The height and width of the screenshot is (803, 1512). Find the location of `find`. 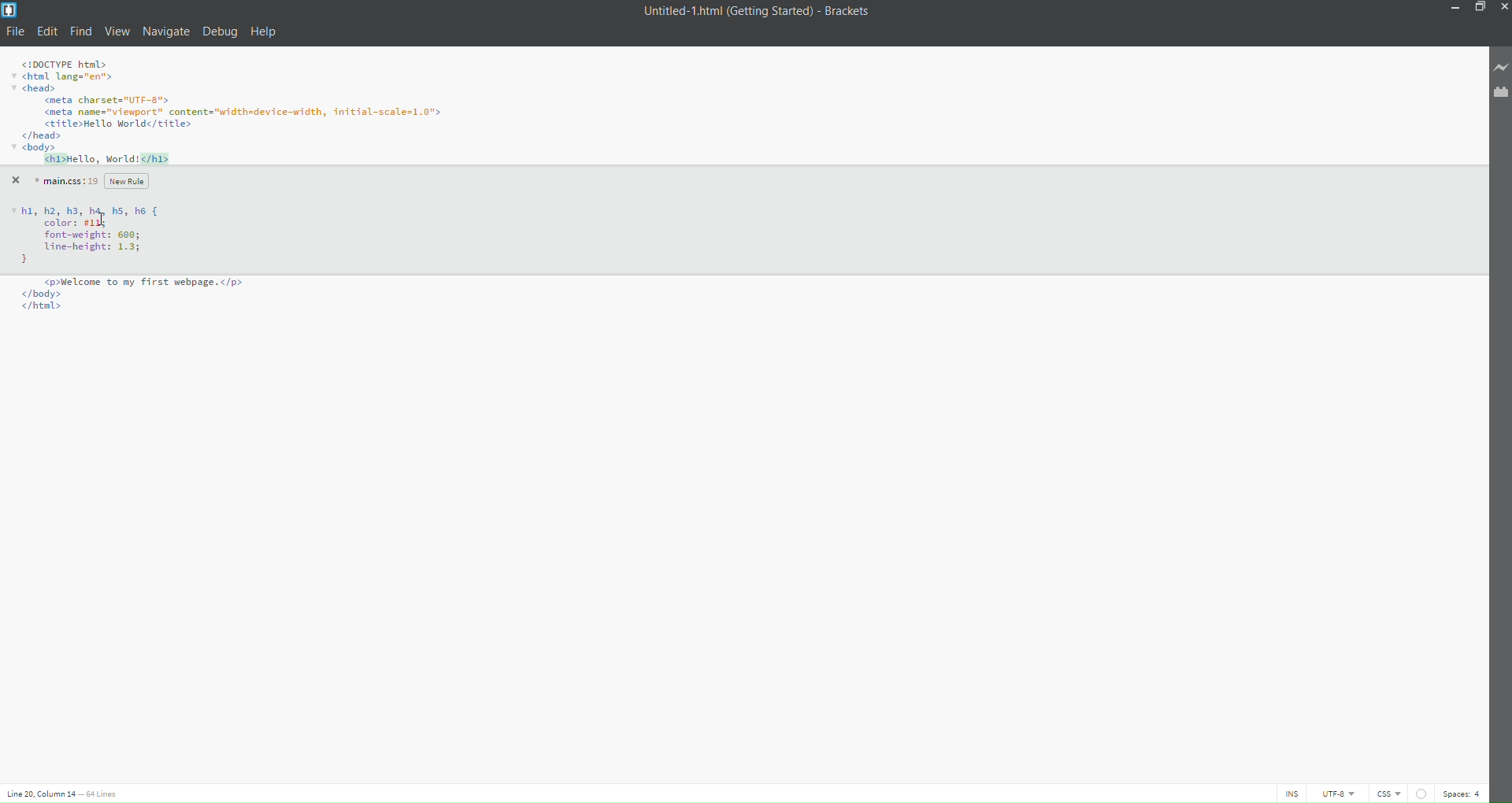

find is located at coordinates (80, 31).